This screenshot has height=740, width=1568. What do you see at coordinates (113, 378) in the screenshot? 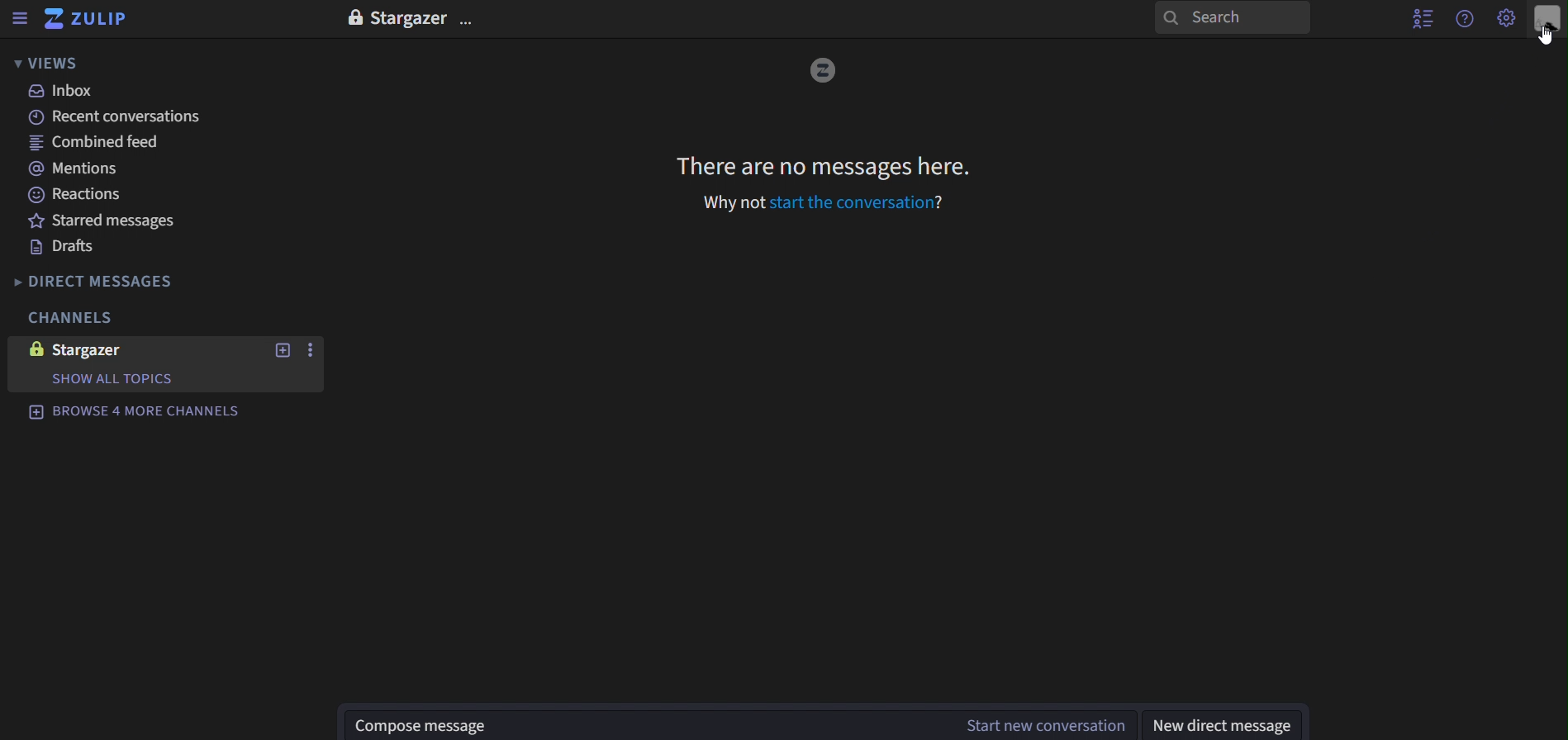
I see `show all topics` at bounding box center [113, 378].